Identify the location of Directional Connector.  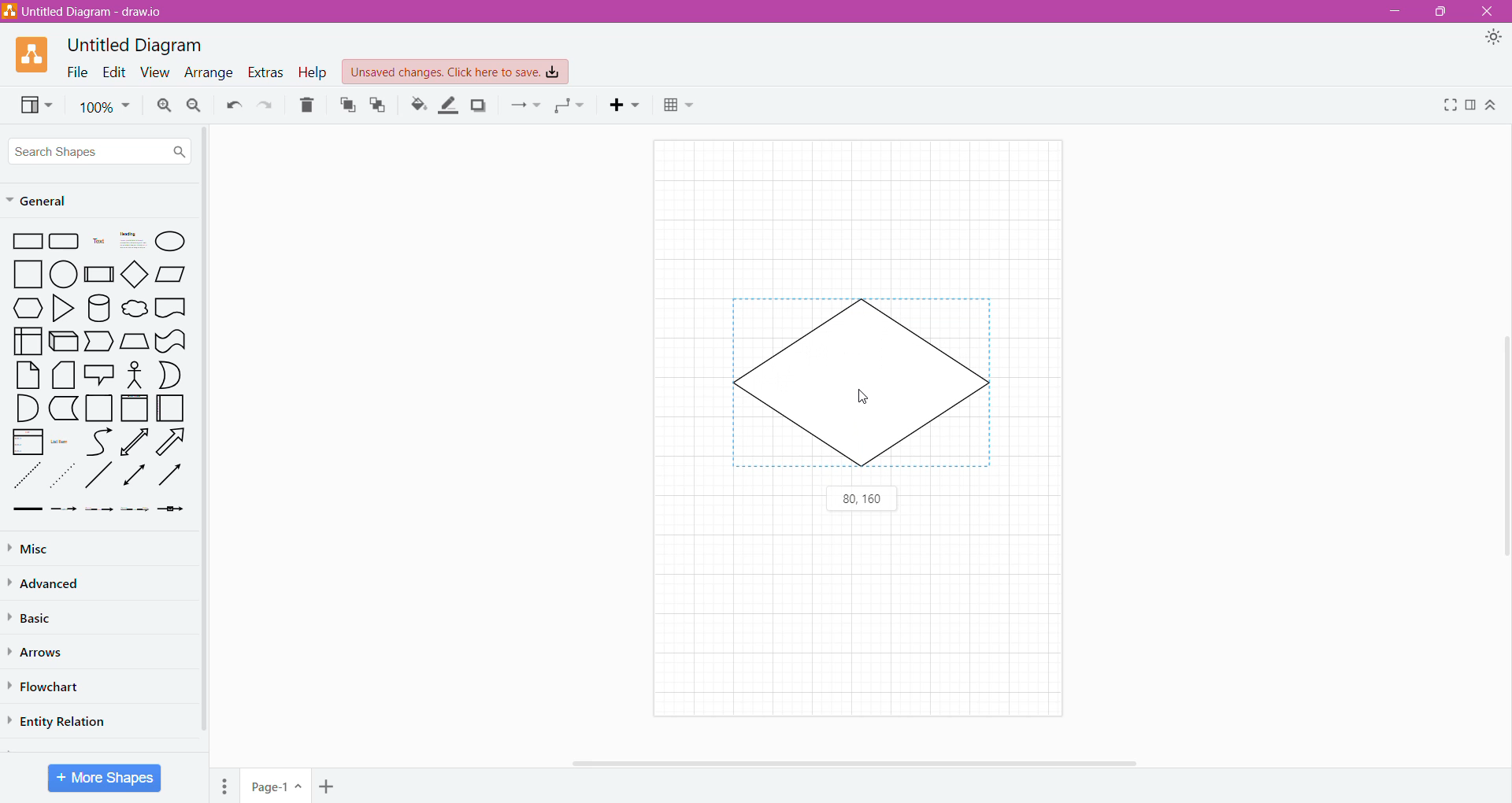
(173, 479).